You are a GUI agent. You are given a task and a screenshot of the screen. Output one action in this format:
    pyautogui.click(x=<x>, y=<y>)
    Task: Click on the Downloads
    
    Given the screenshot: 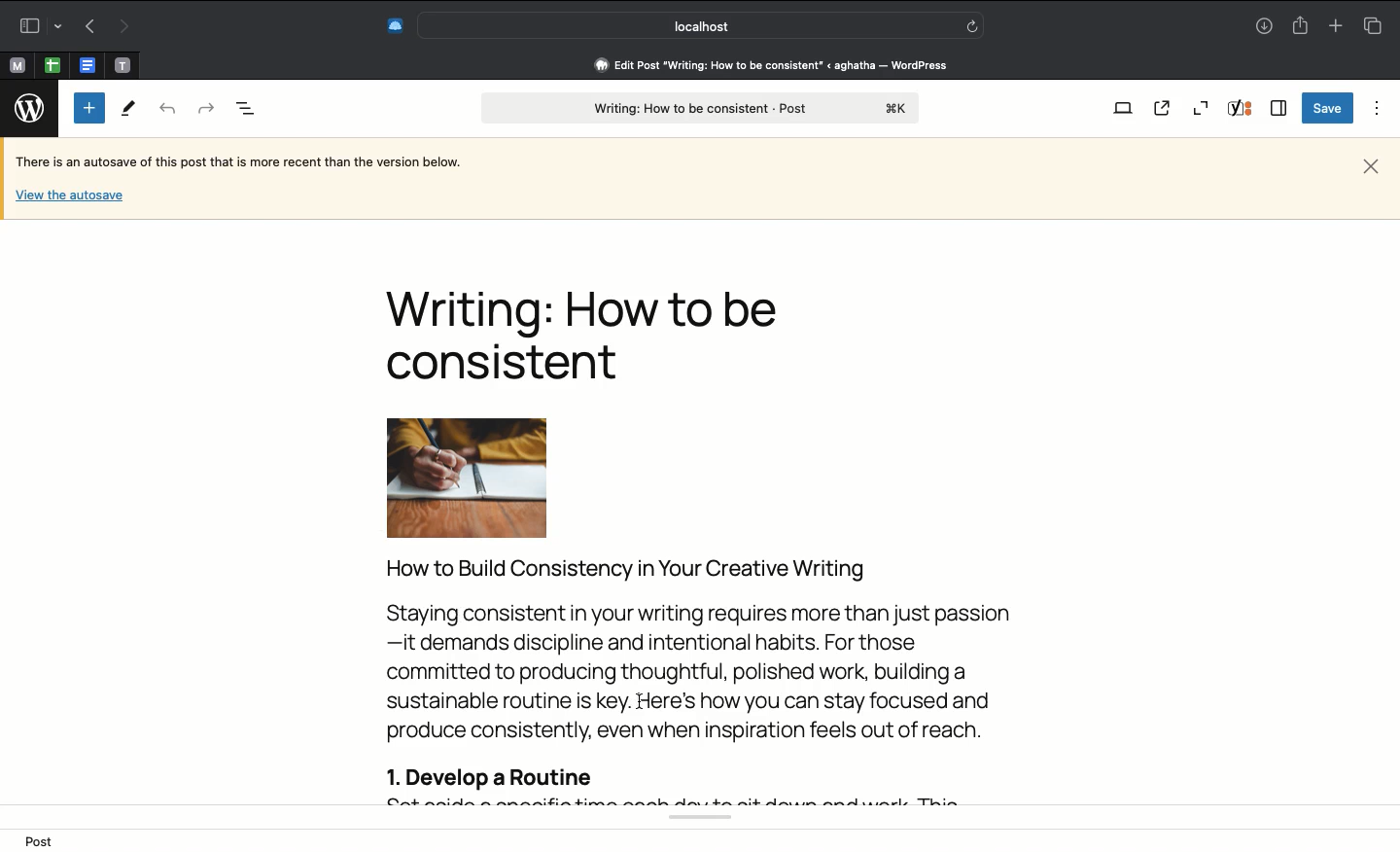 What is the action you would take?
    pyautogui.click(x=1264, y=27)
    